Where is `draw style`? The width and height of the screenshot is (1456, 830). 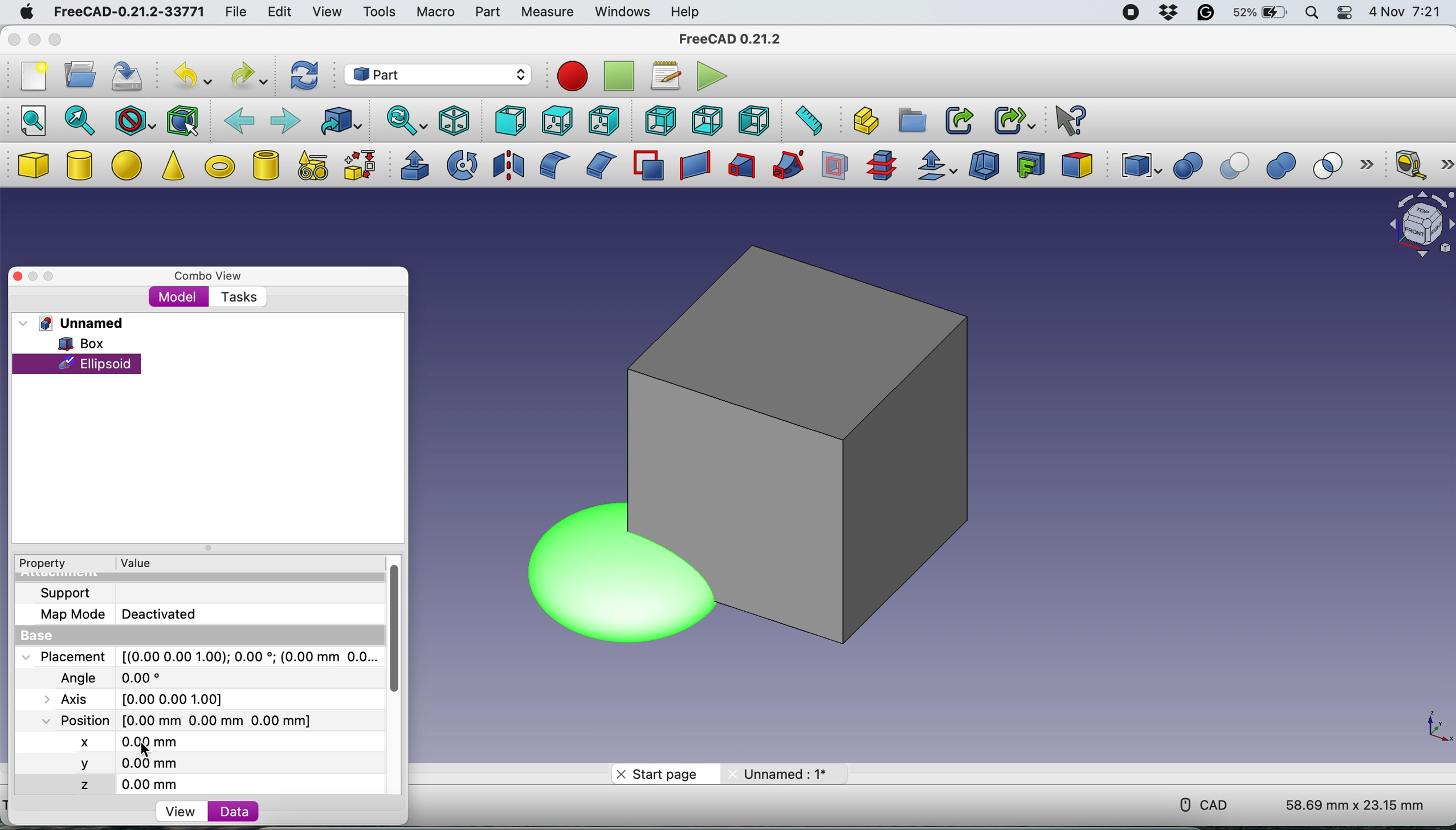 draw style is located at coordinates (134, 121).